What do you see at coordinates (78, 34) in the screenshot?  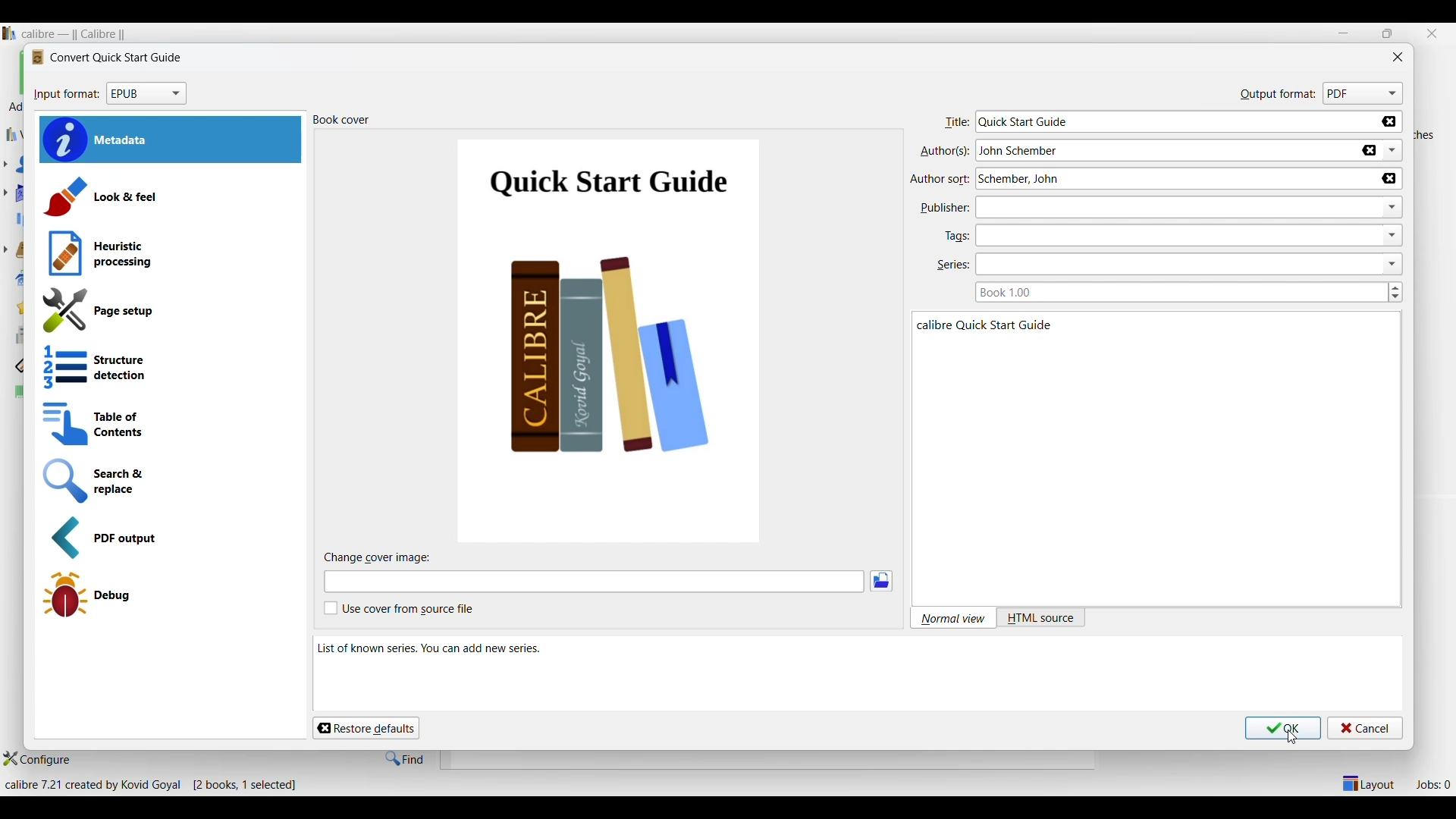 I see `Software name` at bounding box center [78, 34].